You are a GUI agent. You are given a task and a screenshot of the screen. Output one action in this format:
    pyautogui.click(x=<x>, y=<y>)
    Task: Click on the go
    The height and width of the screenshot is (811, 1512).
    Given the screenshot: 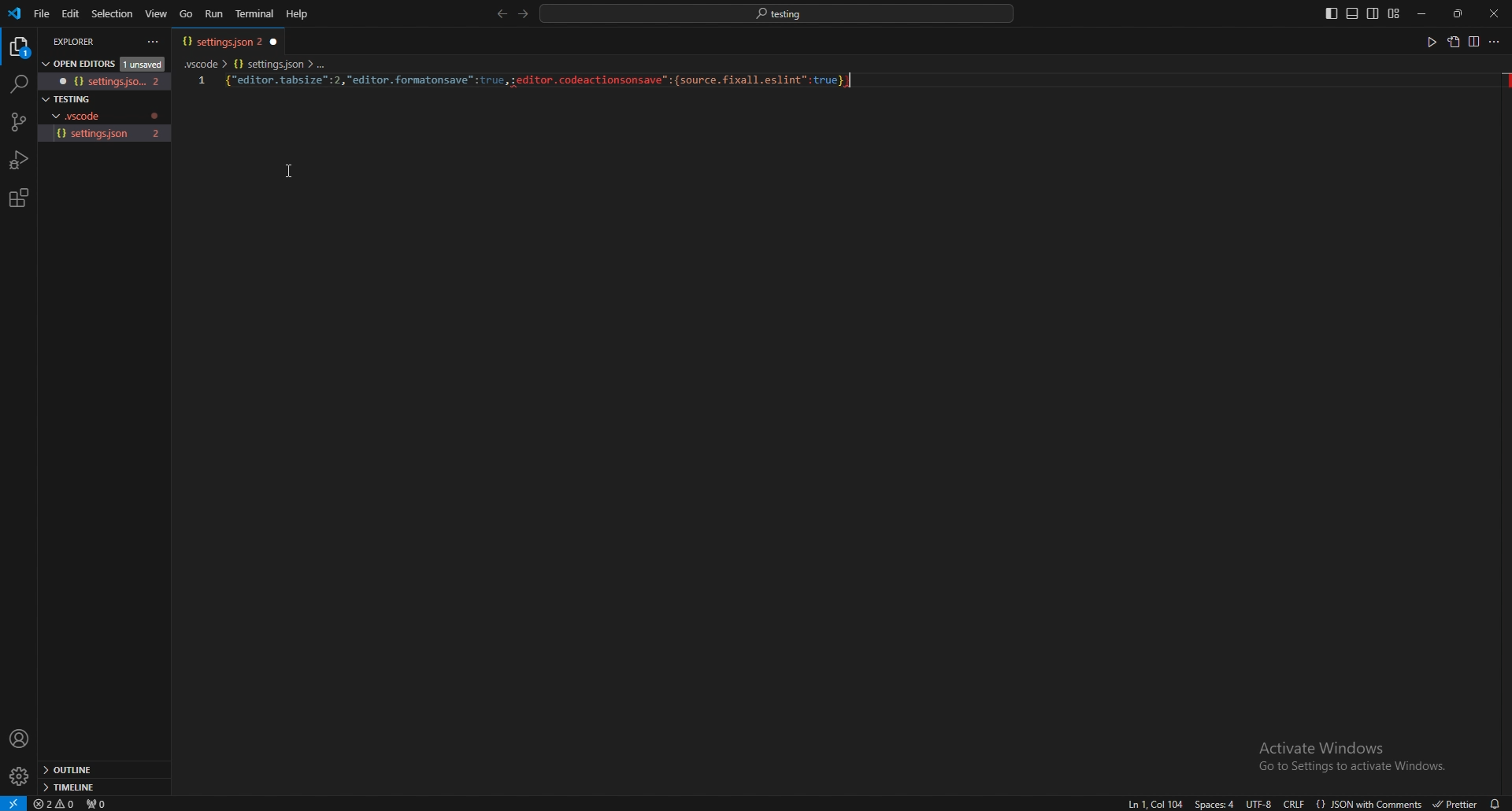 What is the action you would take?
    pyautogui.click(x=187, y=14)
    